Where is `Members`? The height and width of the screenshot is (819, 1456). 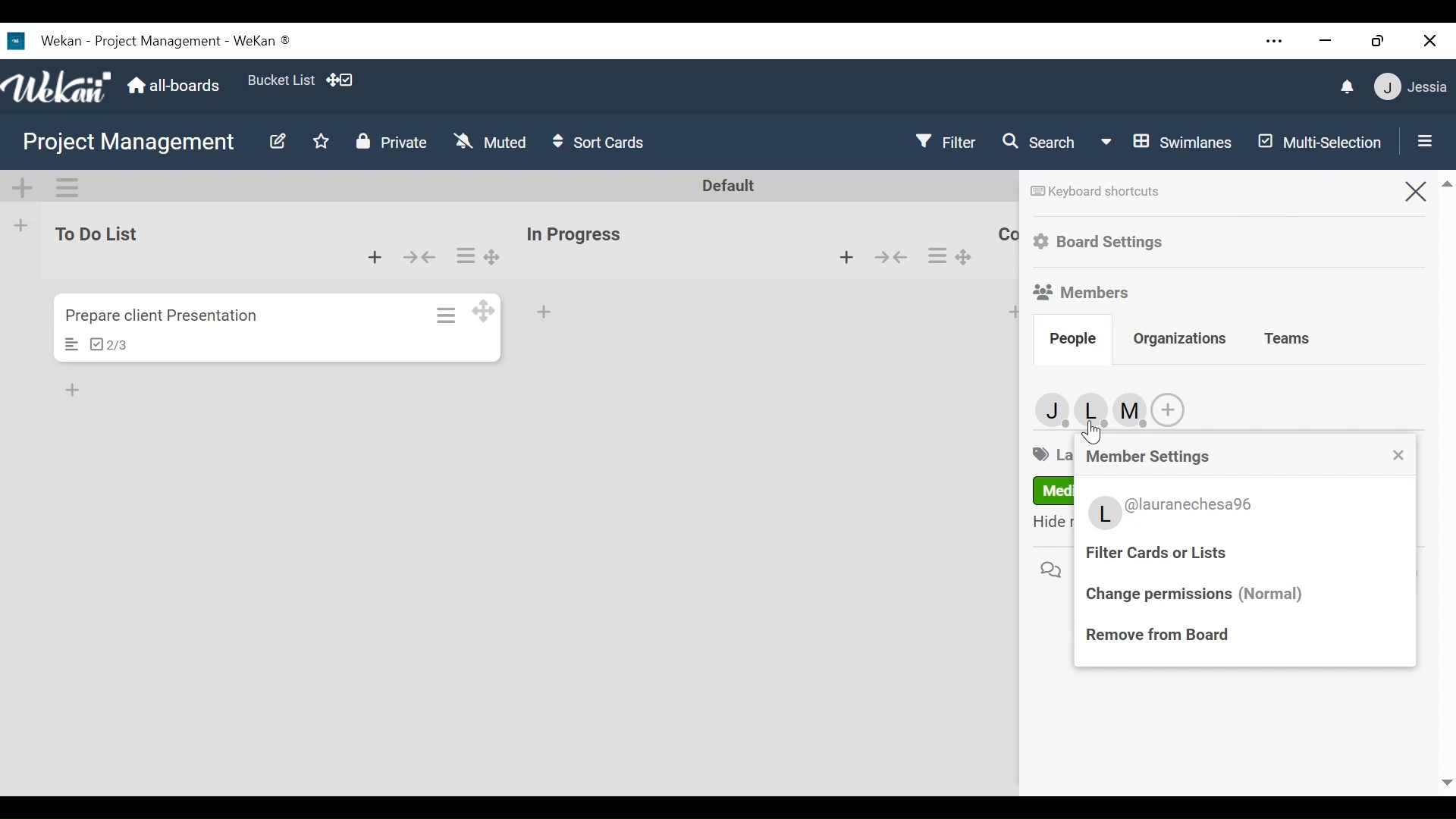 Members is located at coordinates (1082, 291).